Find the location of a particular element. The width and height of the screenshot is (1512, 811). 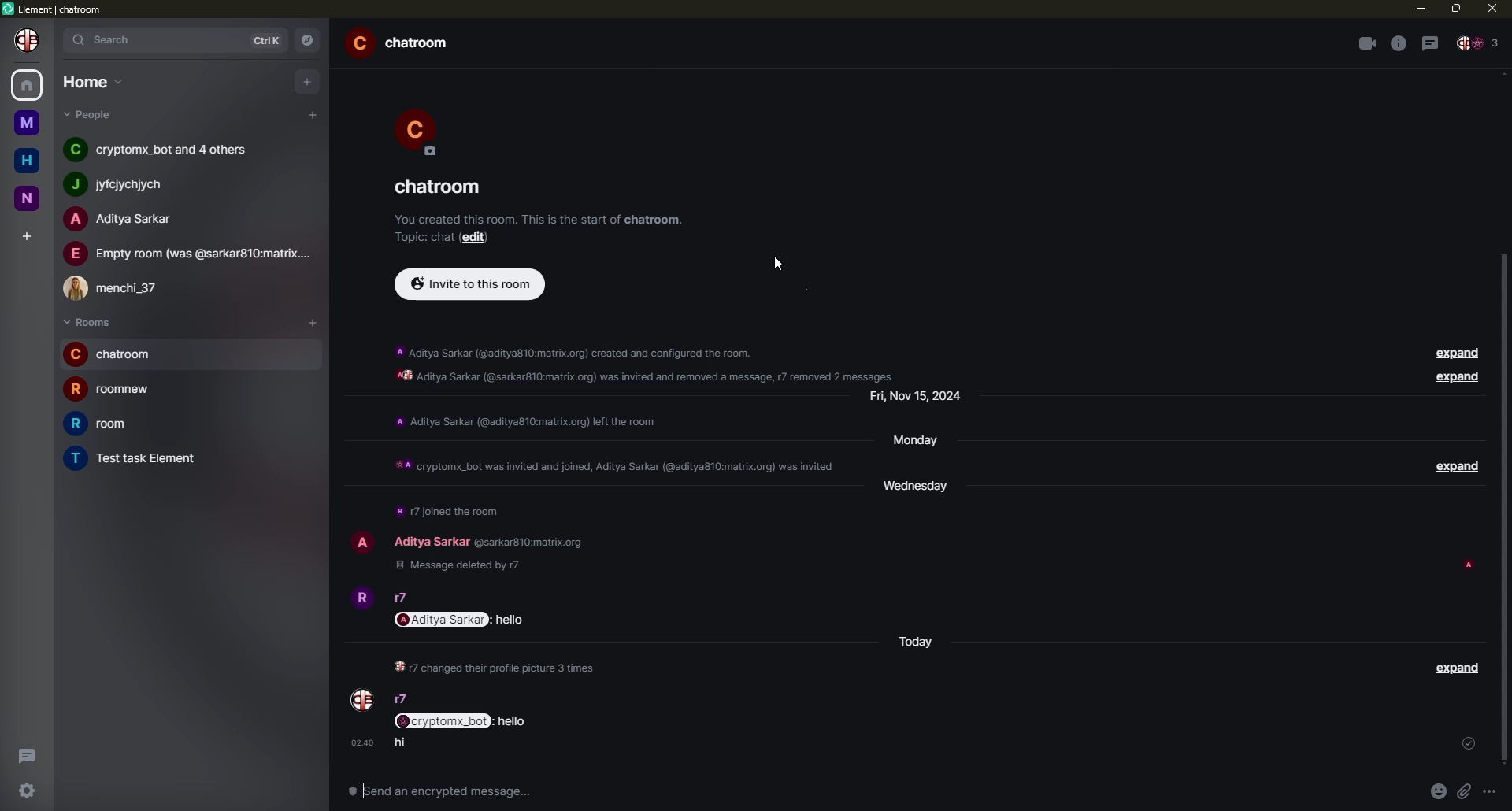

r7 is located at coordinates (400, 698).